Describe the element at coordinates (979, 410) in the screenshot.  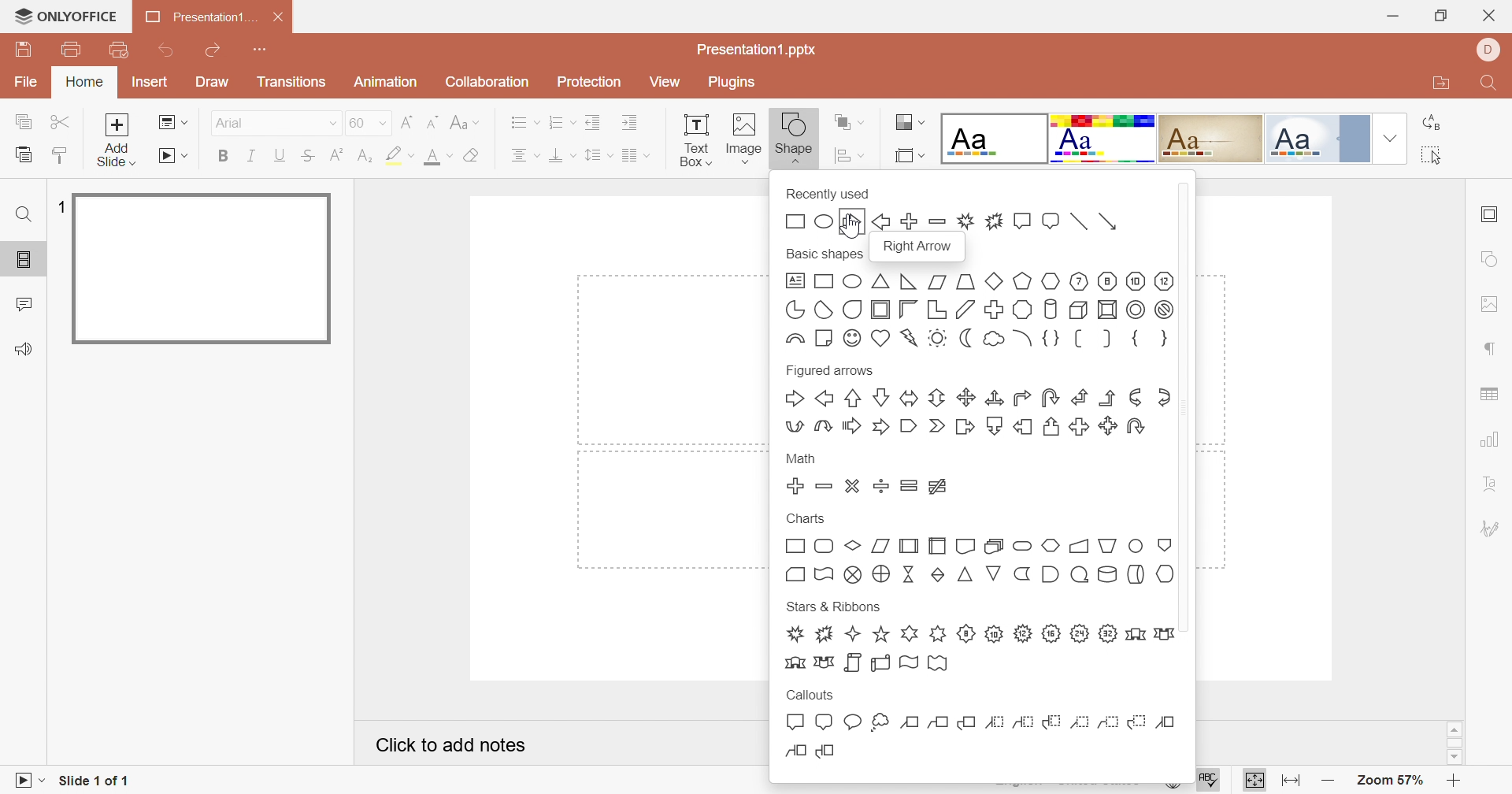
I see `Figured arrows icons` at that location.